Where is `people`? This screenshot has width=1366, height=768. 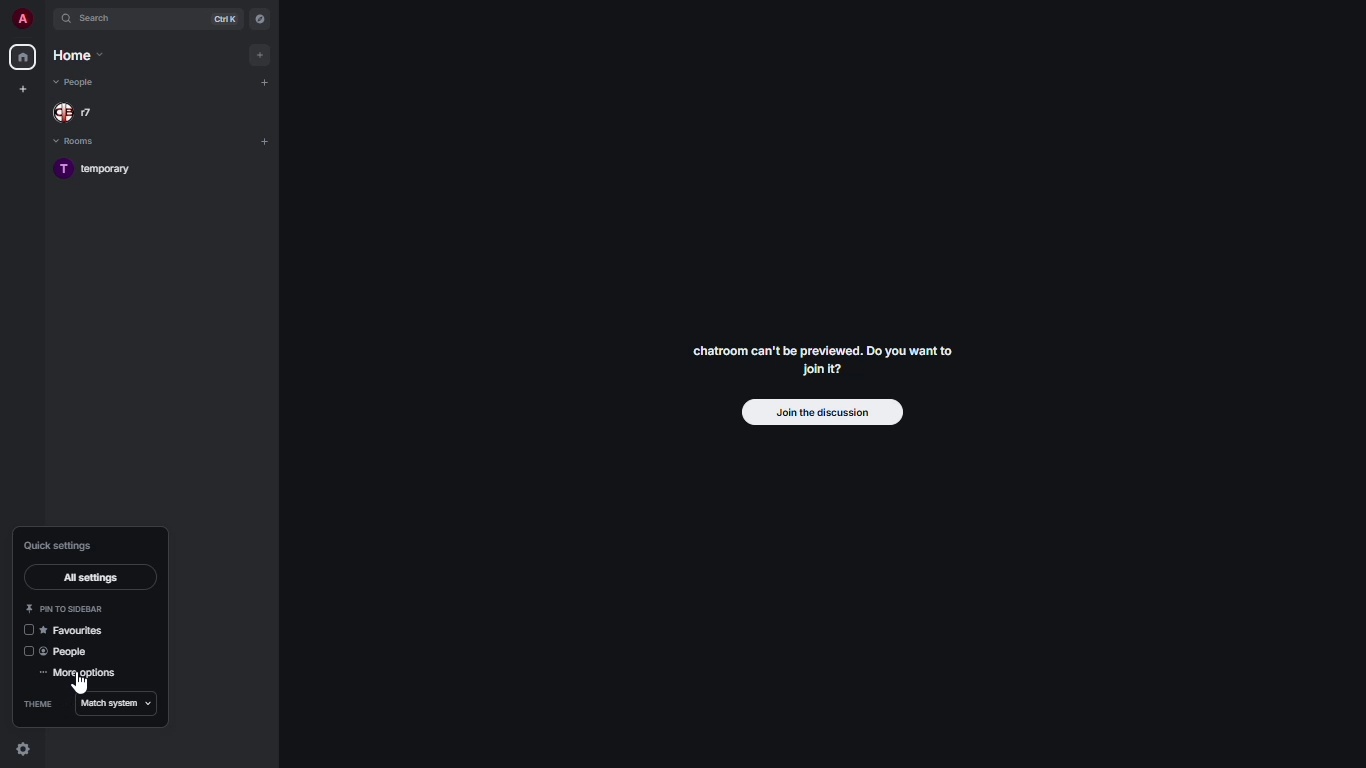
people is located at coordinates (71, 652).